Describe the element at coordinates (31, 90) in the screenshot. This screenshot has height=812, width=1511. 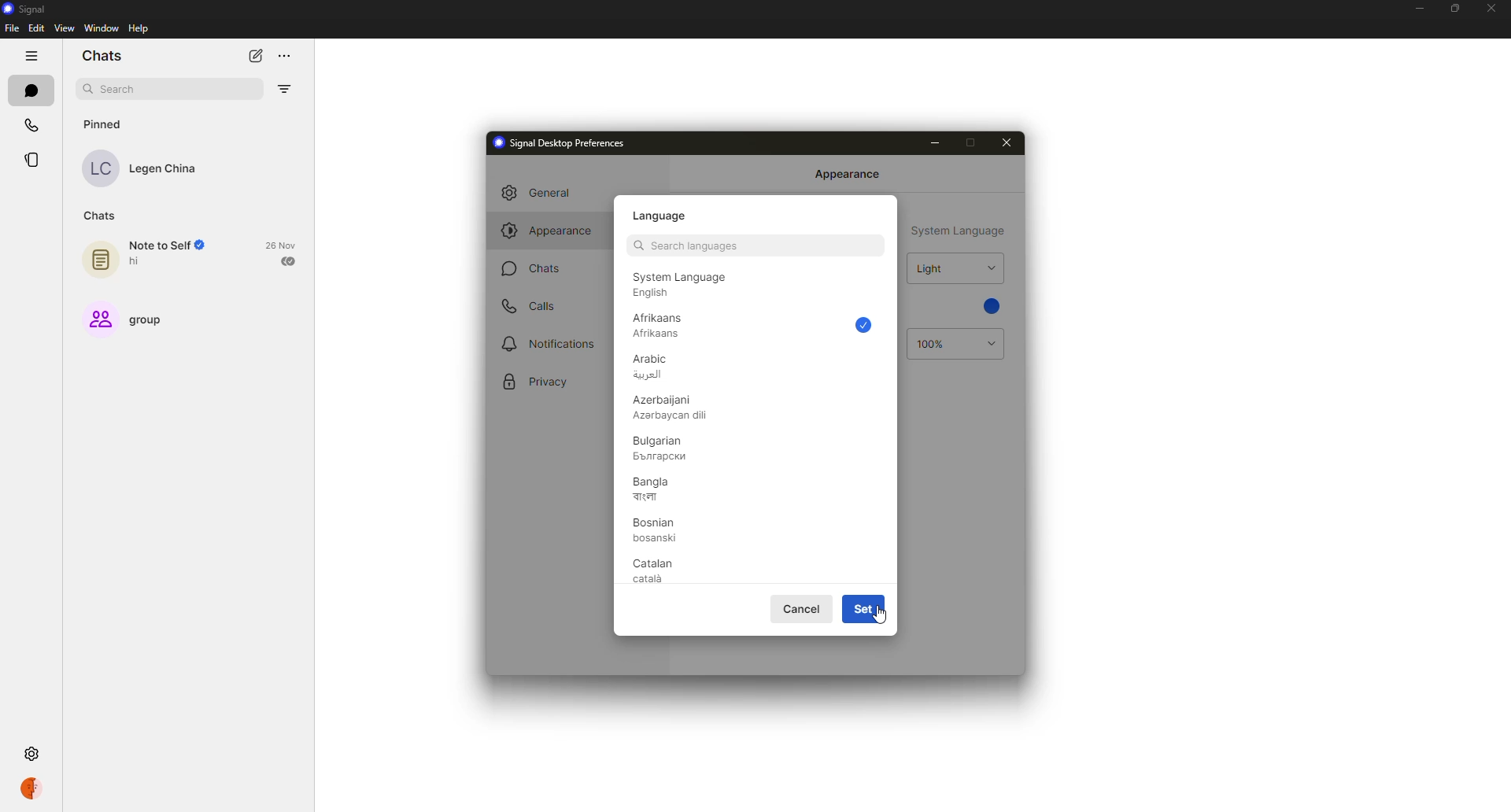
I see `chats` at that location.